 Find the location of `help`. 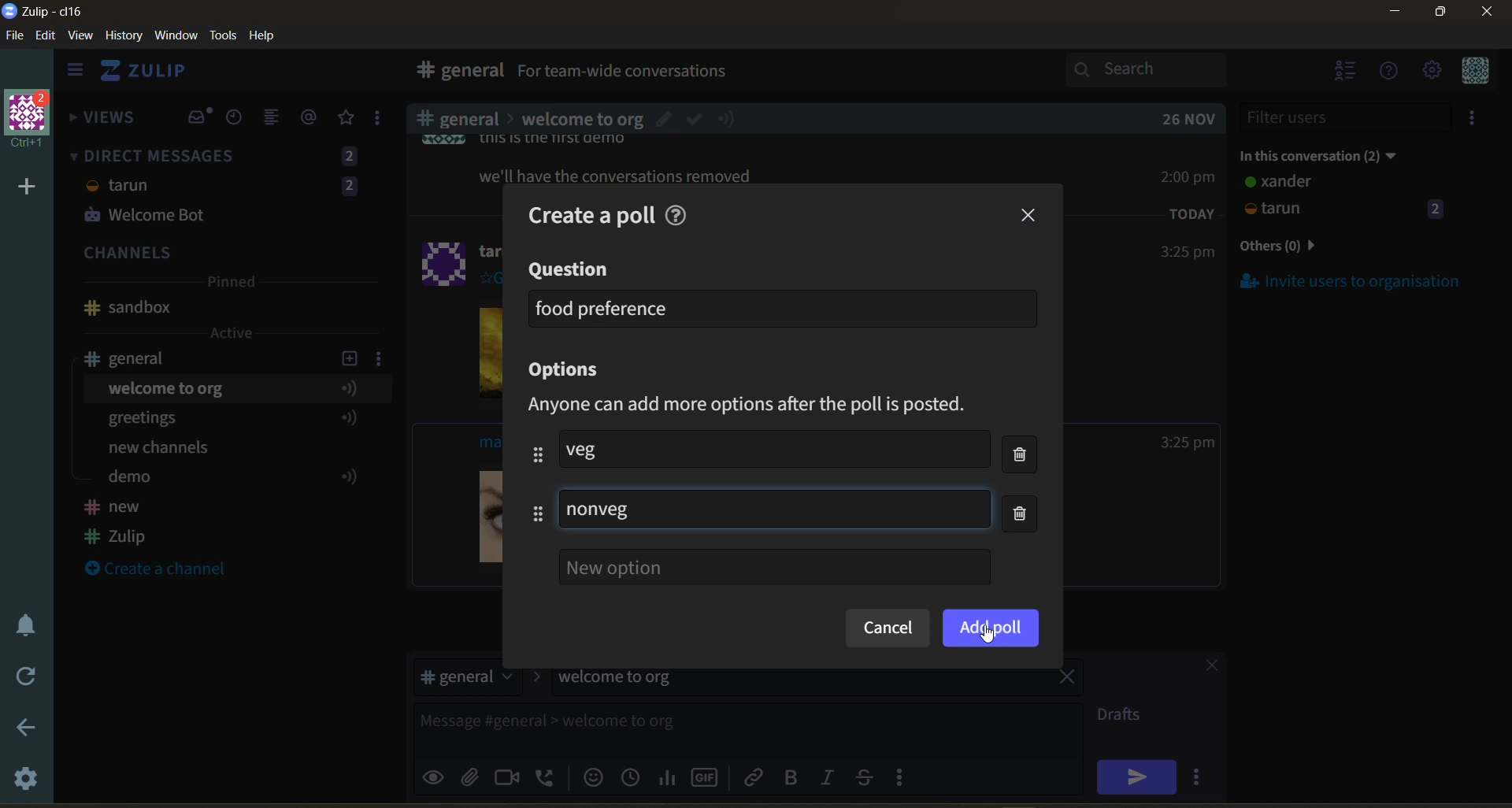

help is located at coordinates (268, 36).